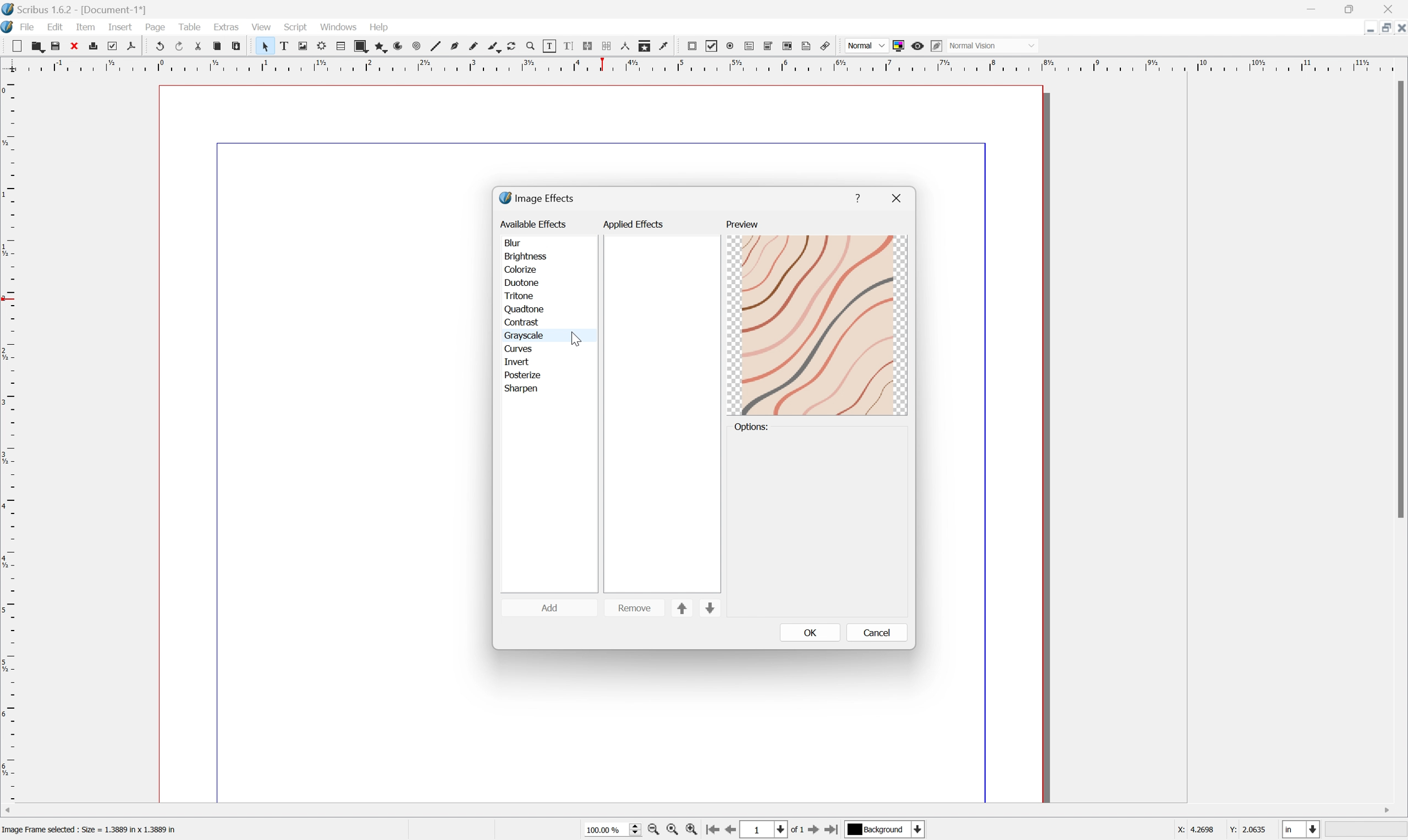 The width and height of the screenshot is (1408, 840). What do you see at coordinates (403, 48) in the screenshot?
I see `Arc` at bounding box center [403, 48].